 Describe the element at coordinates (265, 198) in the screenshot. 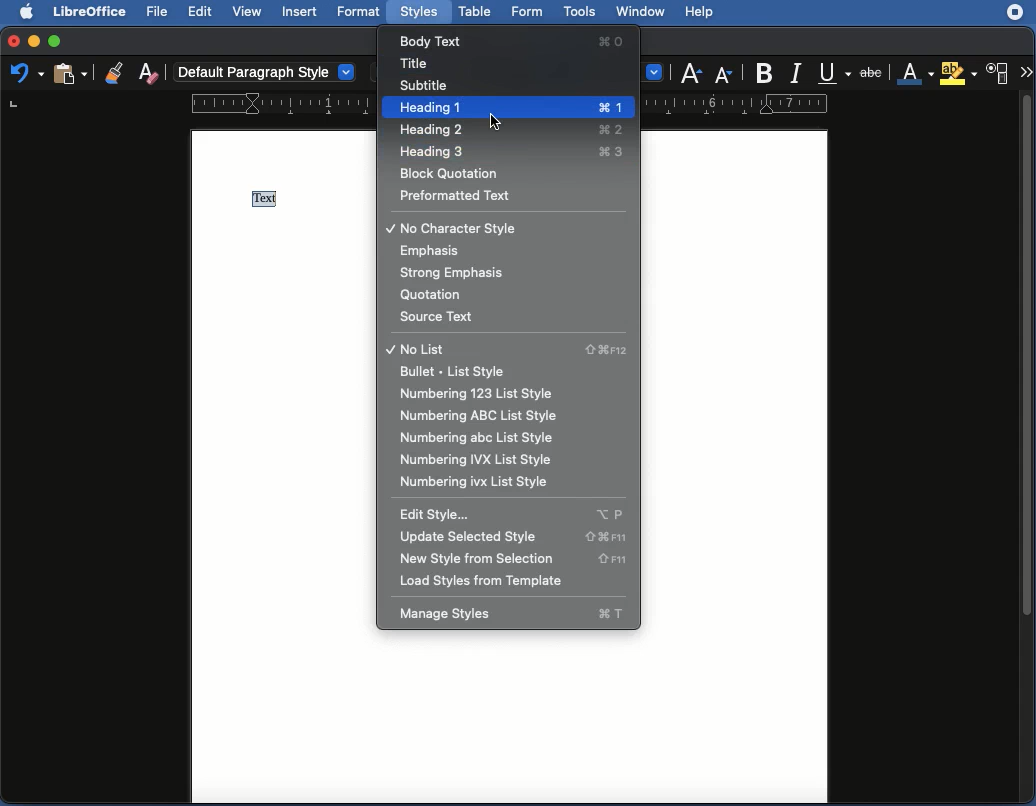

I see `Text` at that location.